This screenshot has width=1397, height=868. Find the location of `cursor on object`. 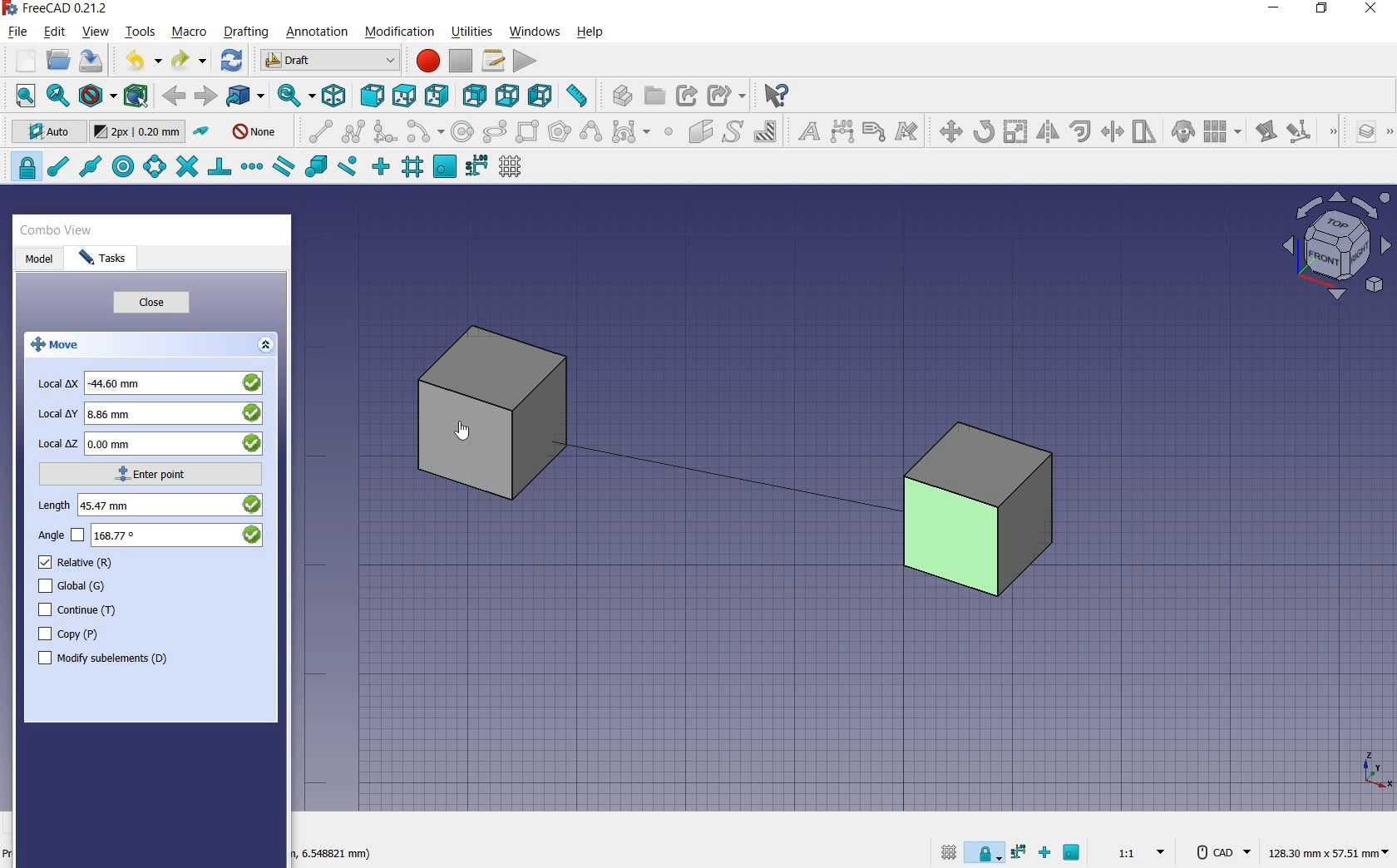

cursor on object is located at coordinates (464, 432).